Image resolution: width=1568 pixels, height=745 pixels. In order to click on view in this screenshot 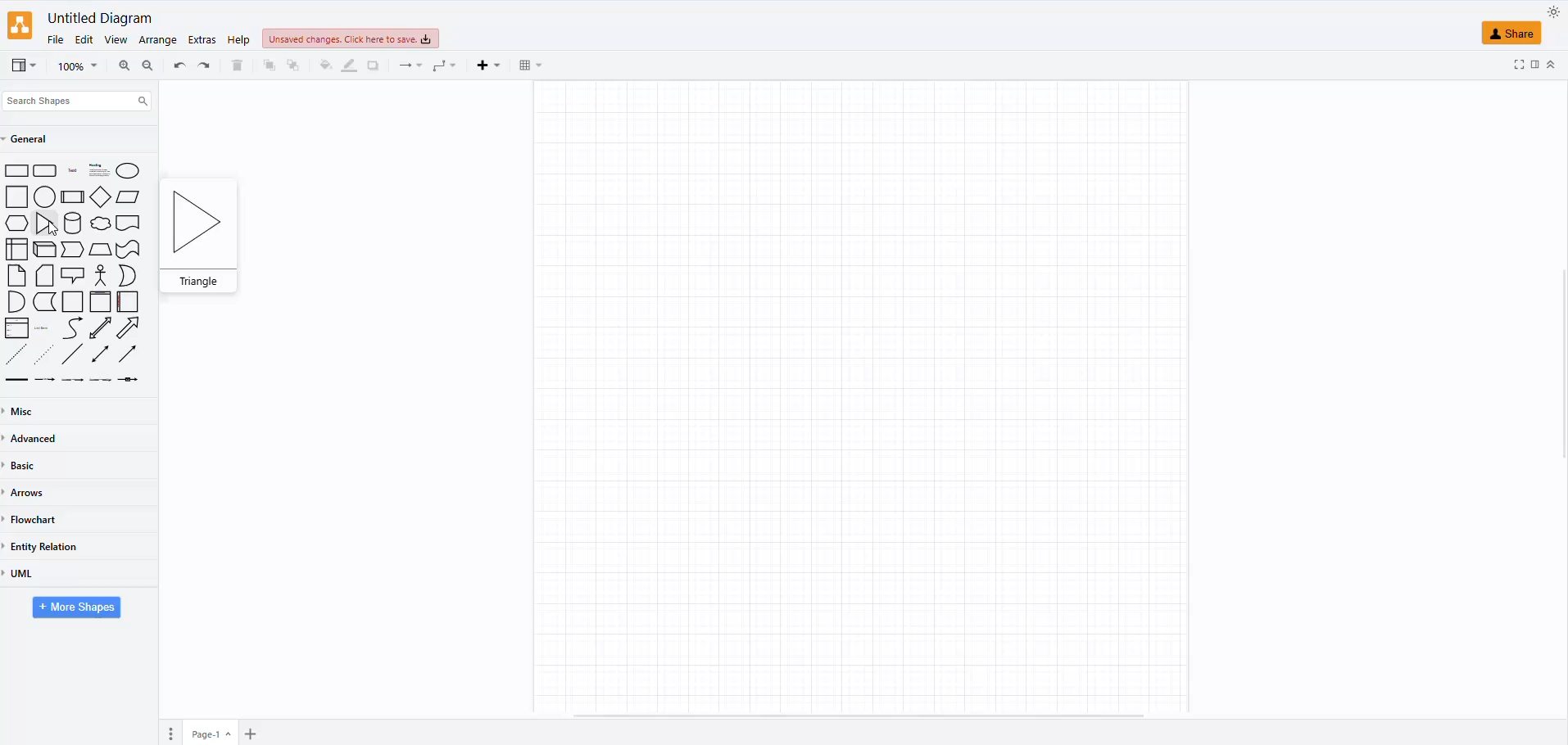, I will do `click(21, 65)`.